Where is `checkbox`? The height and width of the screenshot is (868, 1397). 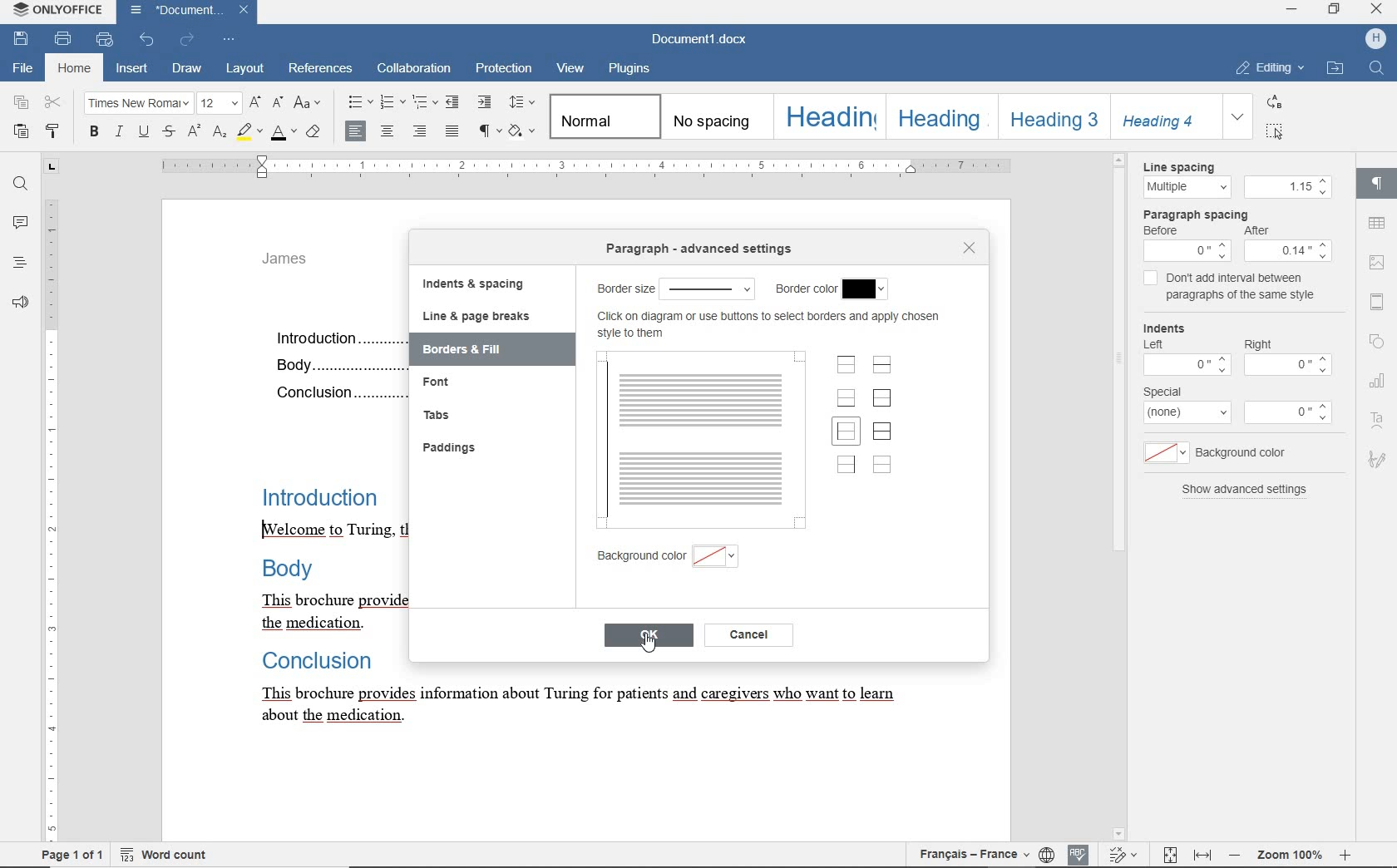
checkbox is located at coordinates (1151, 280).